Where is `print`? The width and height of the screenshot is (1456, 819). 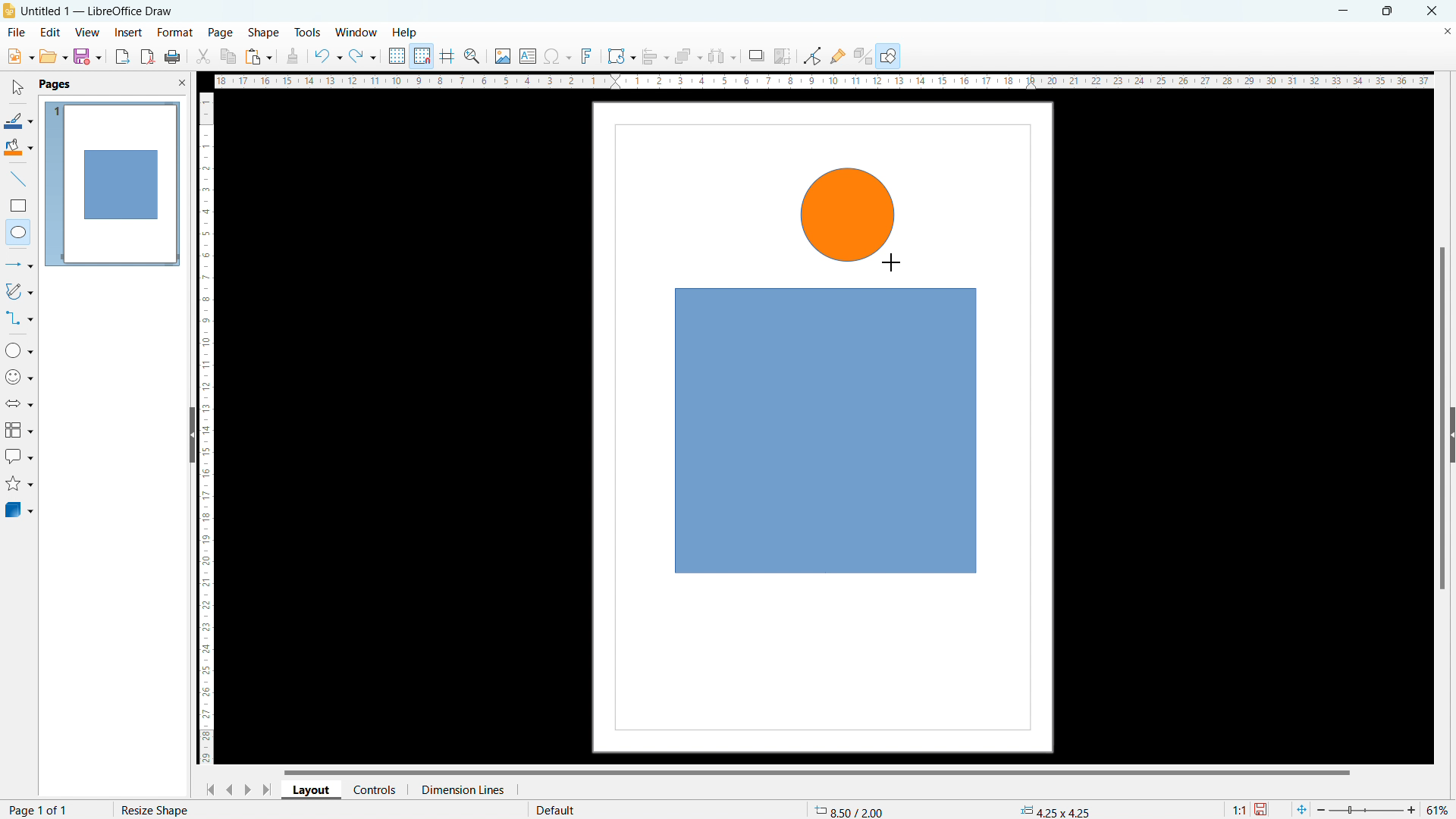
print is located at coordinates (171, 58).